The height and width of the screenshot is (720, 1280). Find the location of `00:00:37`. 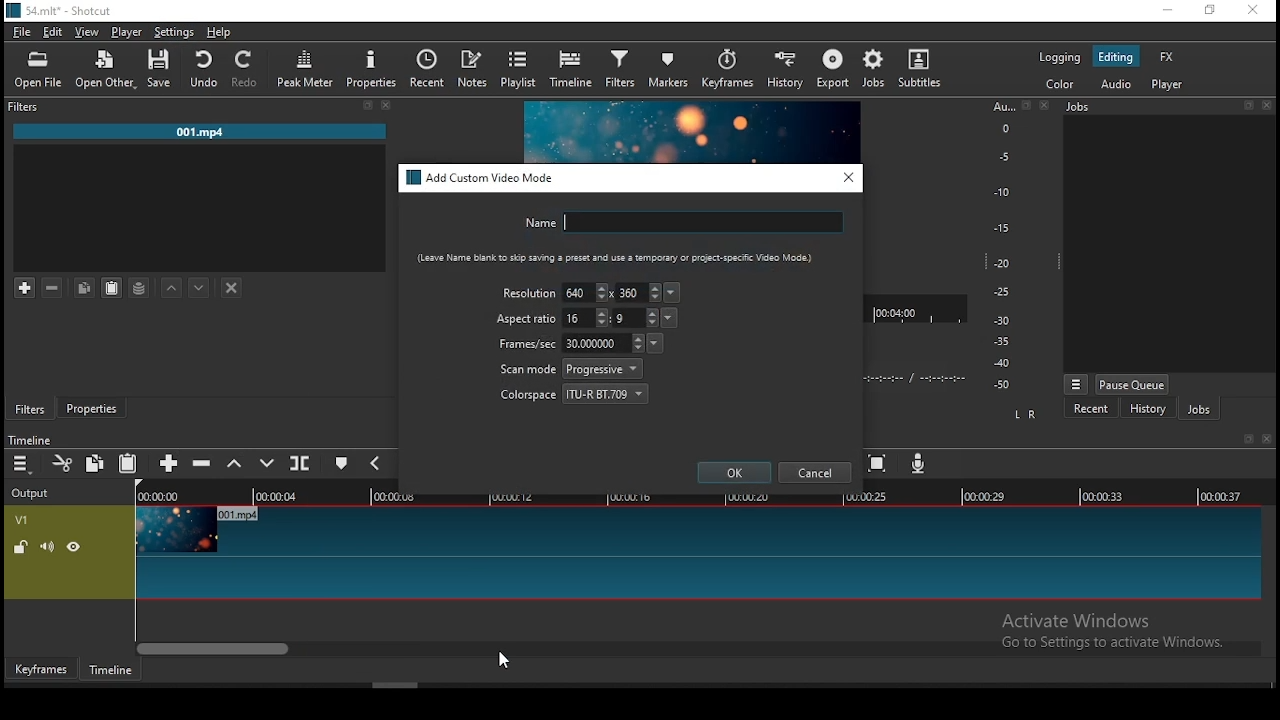

00:00:37 is located at coordinates (1224, 496).